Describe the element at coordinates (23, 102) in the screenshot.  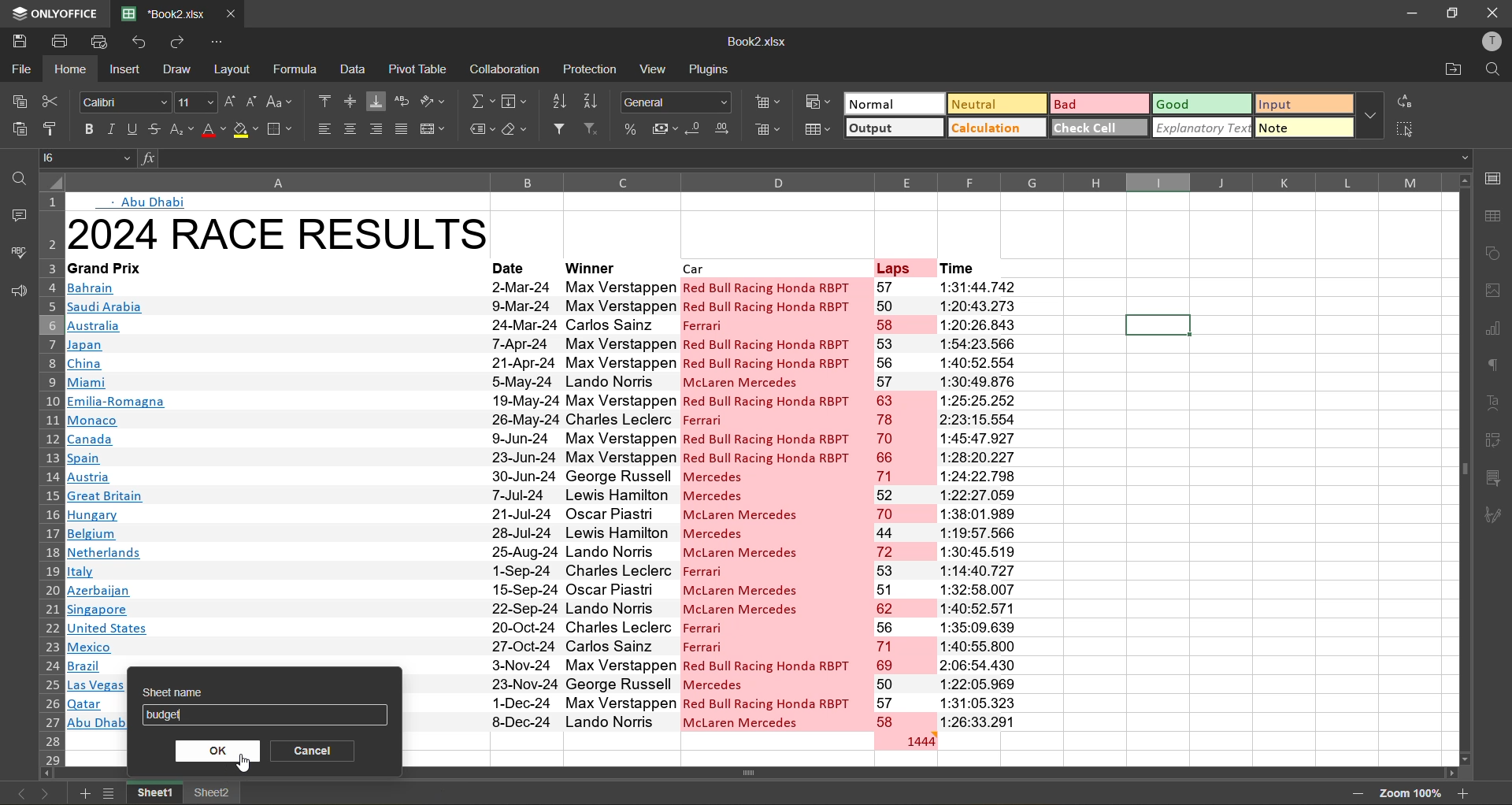
I see `copy` at that location.